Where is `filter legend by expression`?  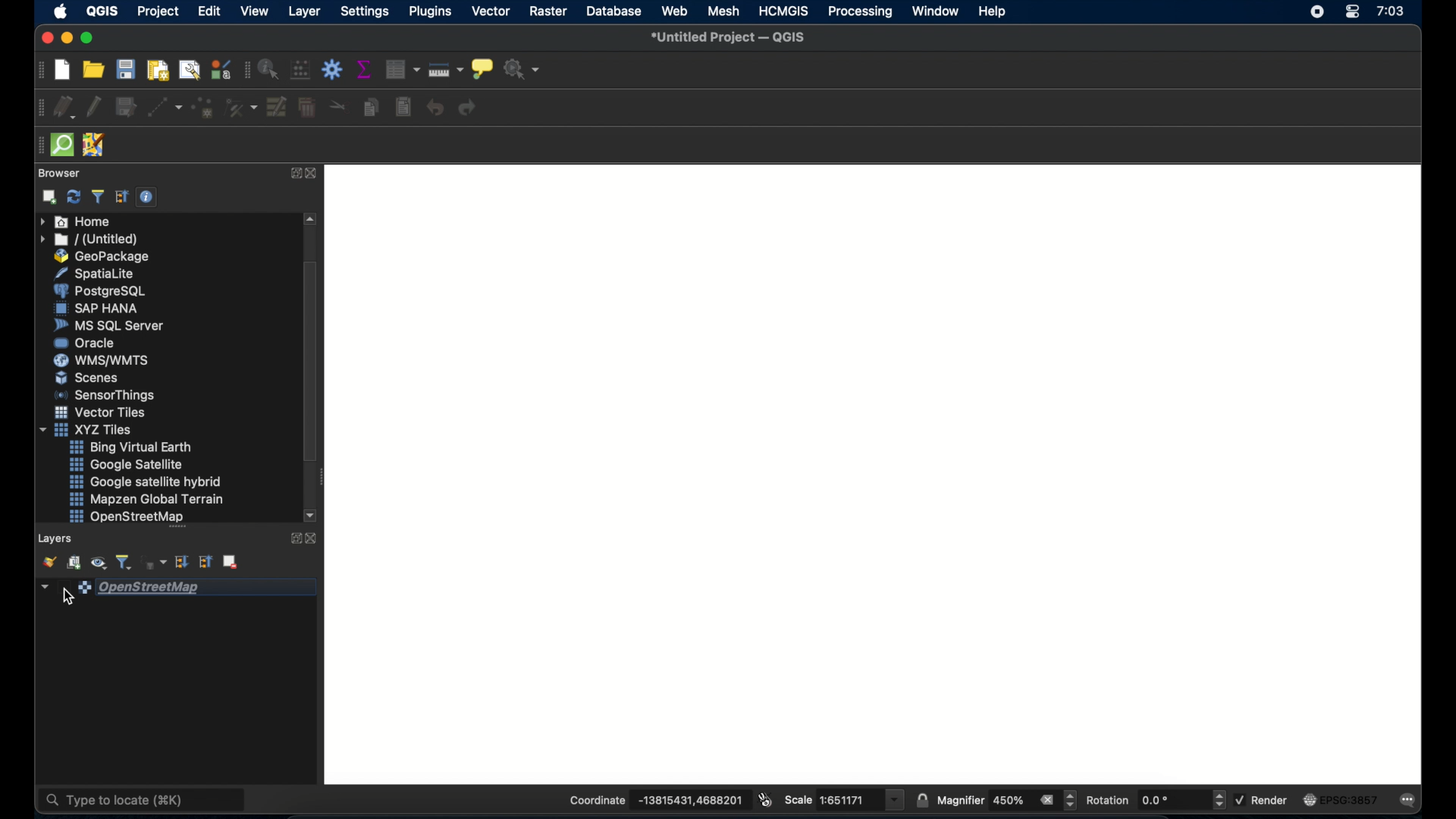
filter legend by expression is located at coordinates (155, 560).